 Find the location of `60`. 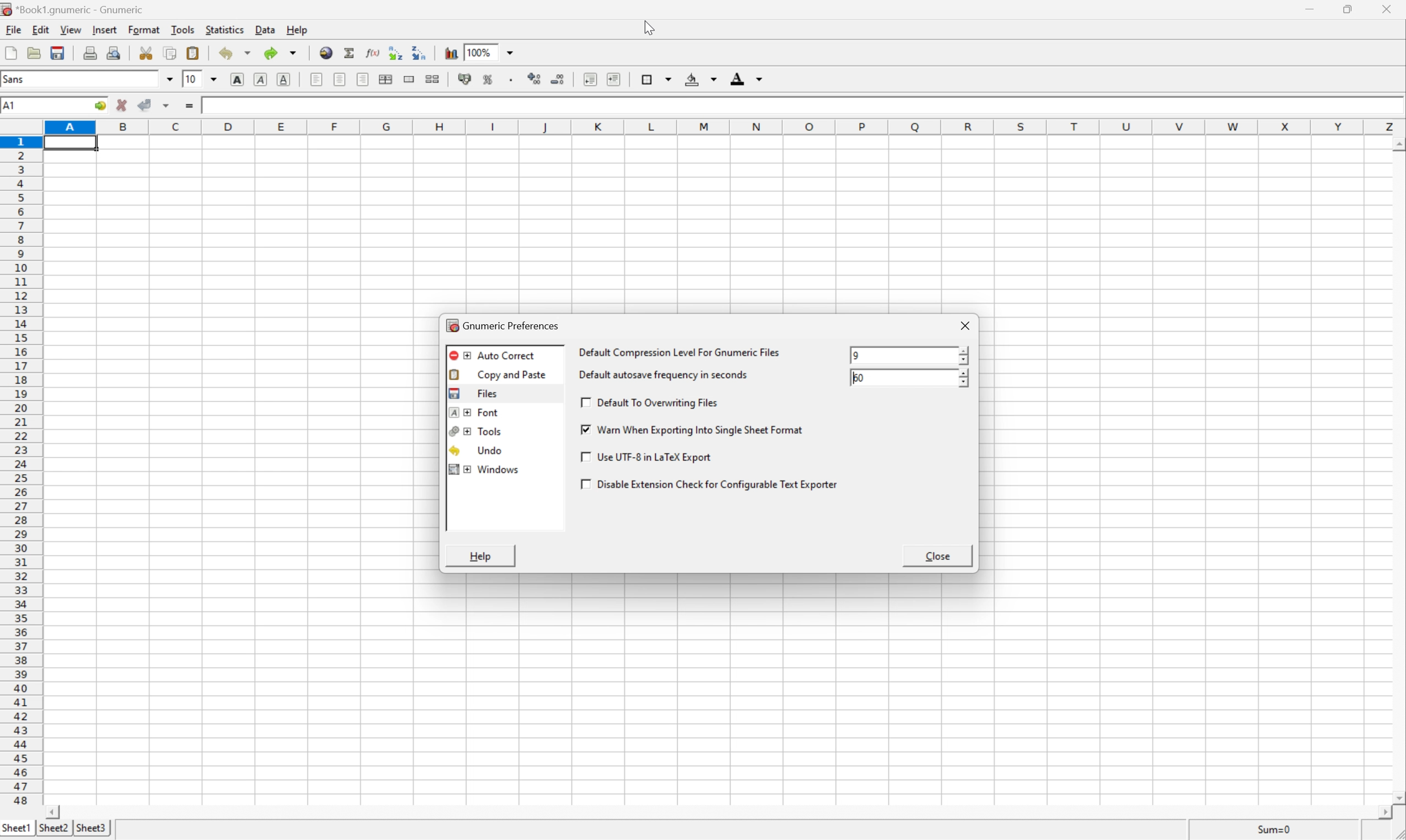

60 is located at coordinates (860, 378).